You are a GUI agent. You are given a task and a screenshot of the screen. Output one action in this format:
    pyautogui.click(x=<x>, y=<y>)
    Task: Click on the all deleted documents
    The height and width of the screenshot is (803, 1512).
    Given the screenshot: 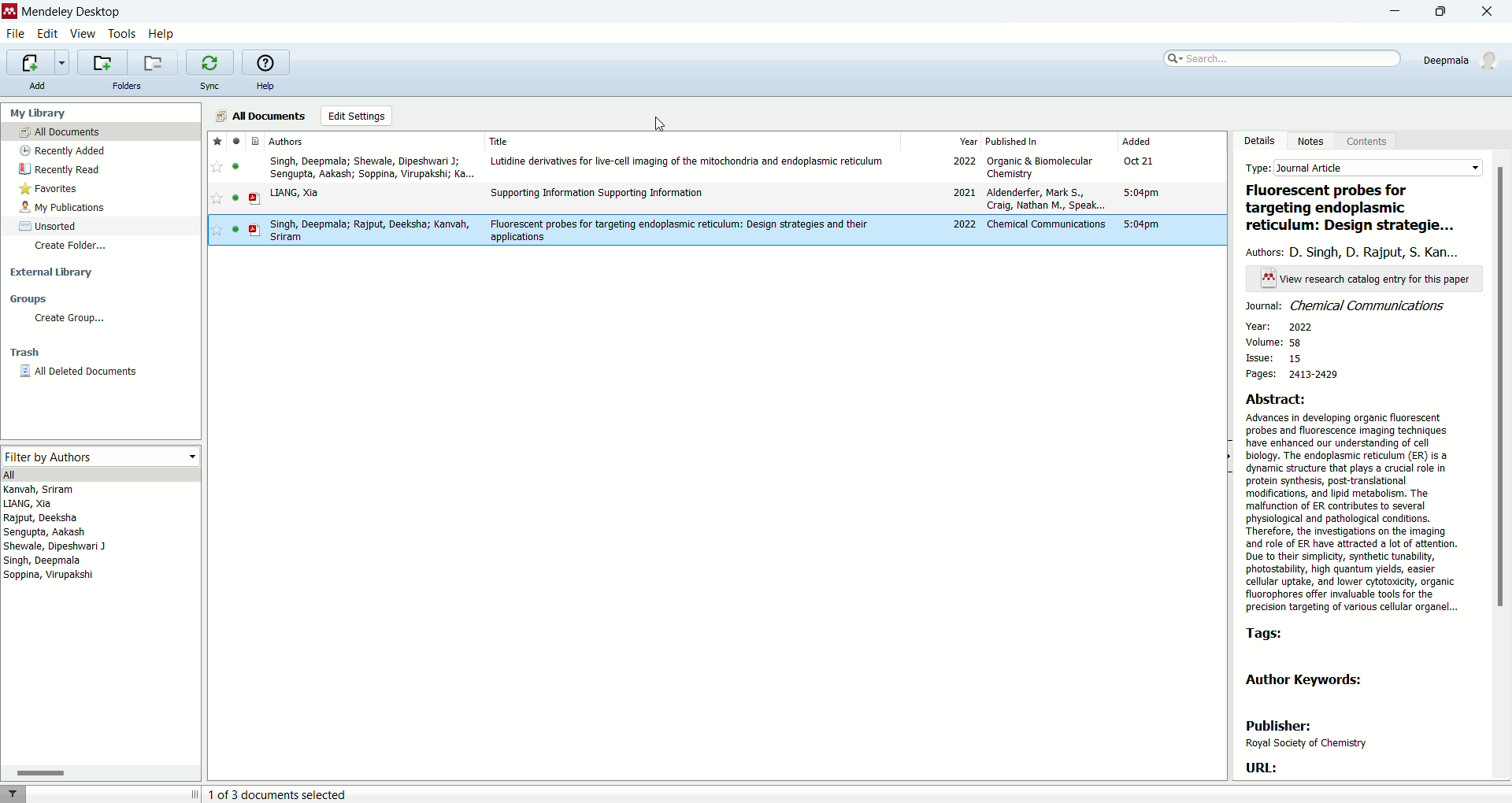 What is the action you would take?
    pyautogui.click(x=79, y=371)
    